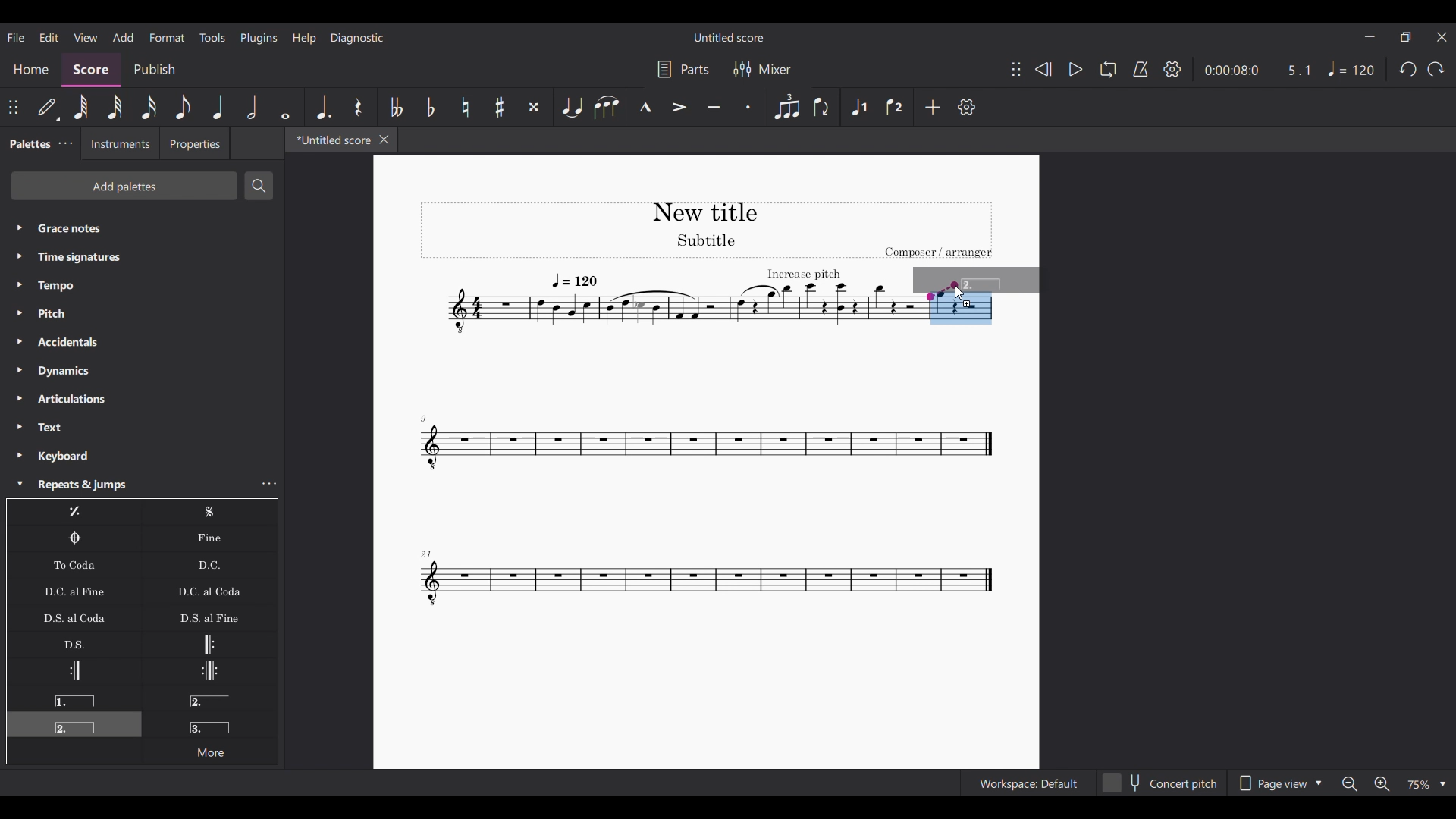 Image resolution: width=1456 pixels, height=819 pixels. I want to click on Current duration, so click(1231, 71).